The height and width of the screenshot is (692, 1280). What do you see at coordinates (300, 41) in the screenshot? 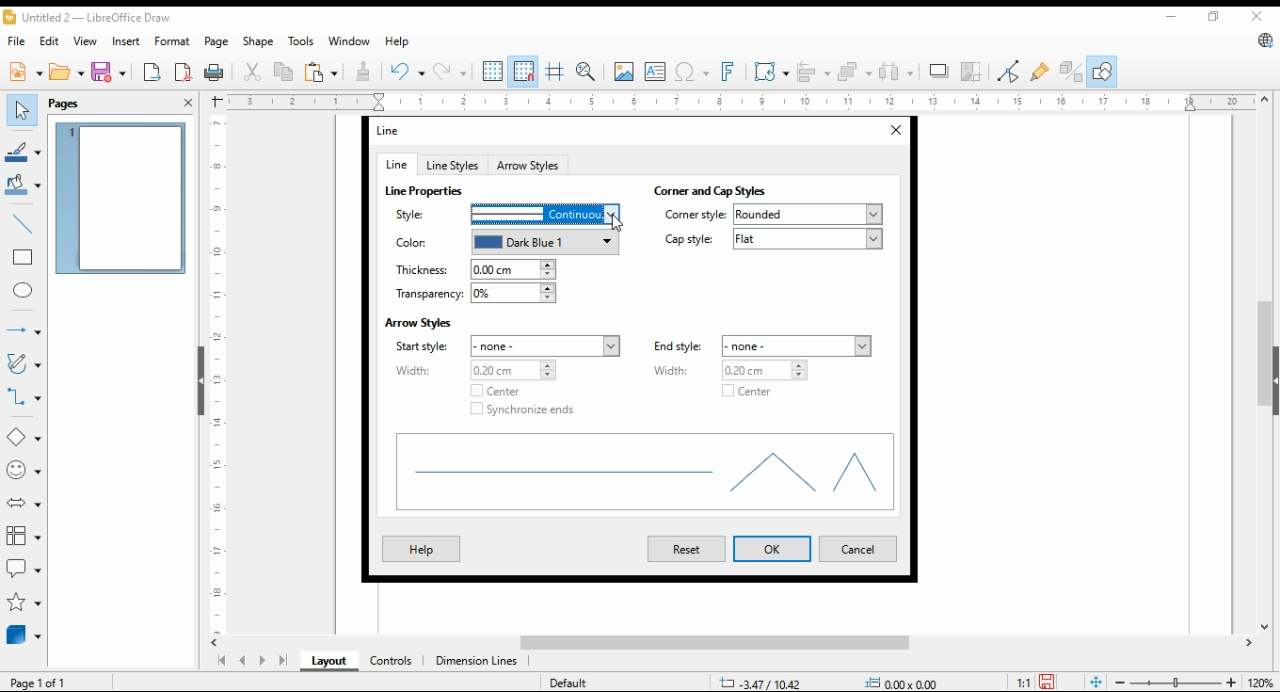
I see `tools` at bounding box center [300, 41].